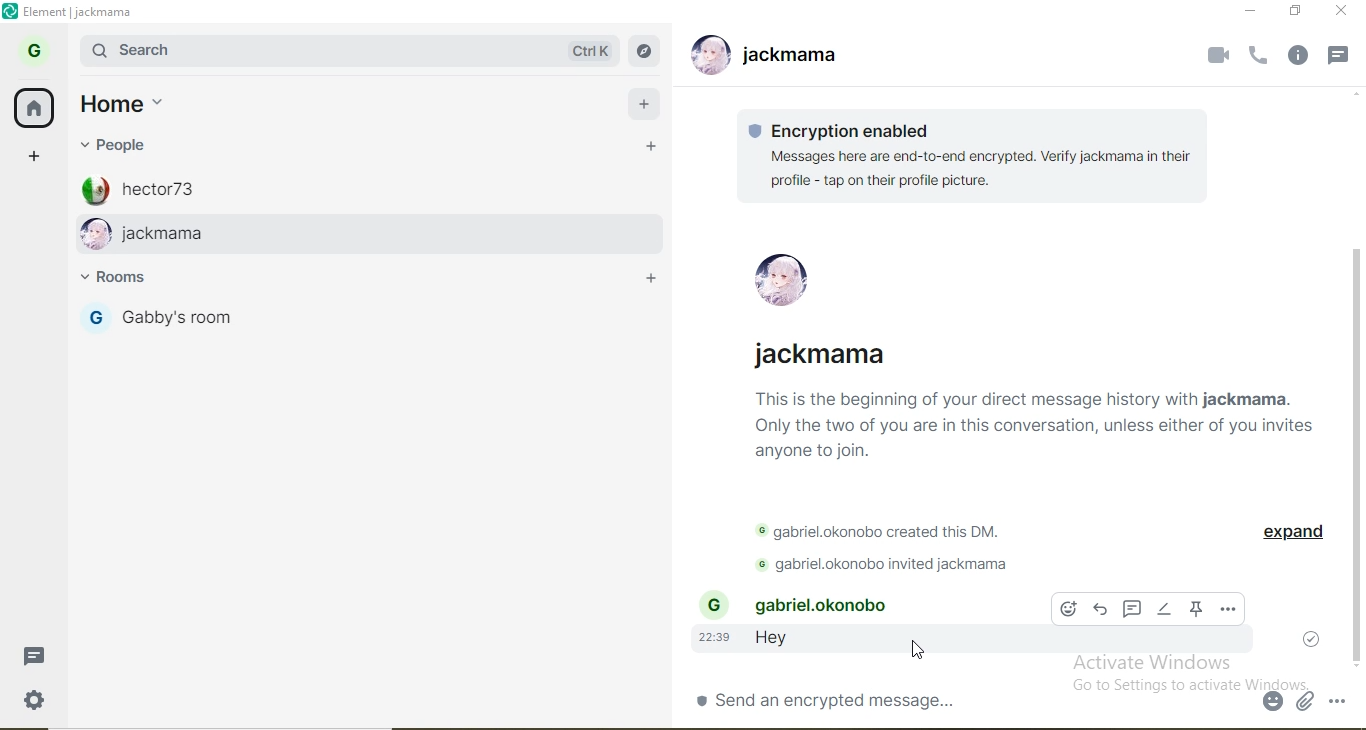 The width and height of the screenshot is (1366, 730). What do you see at coordinates (644, 106) in the screenshot?
I see `add ` at bounding box center [644, 106].